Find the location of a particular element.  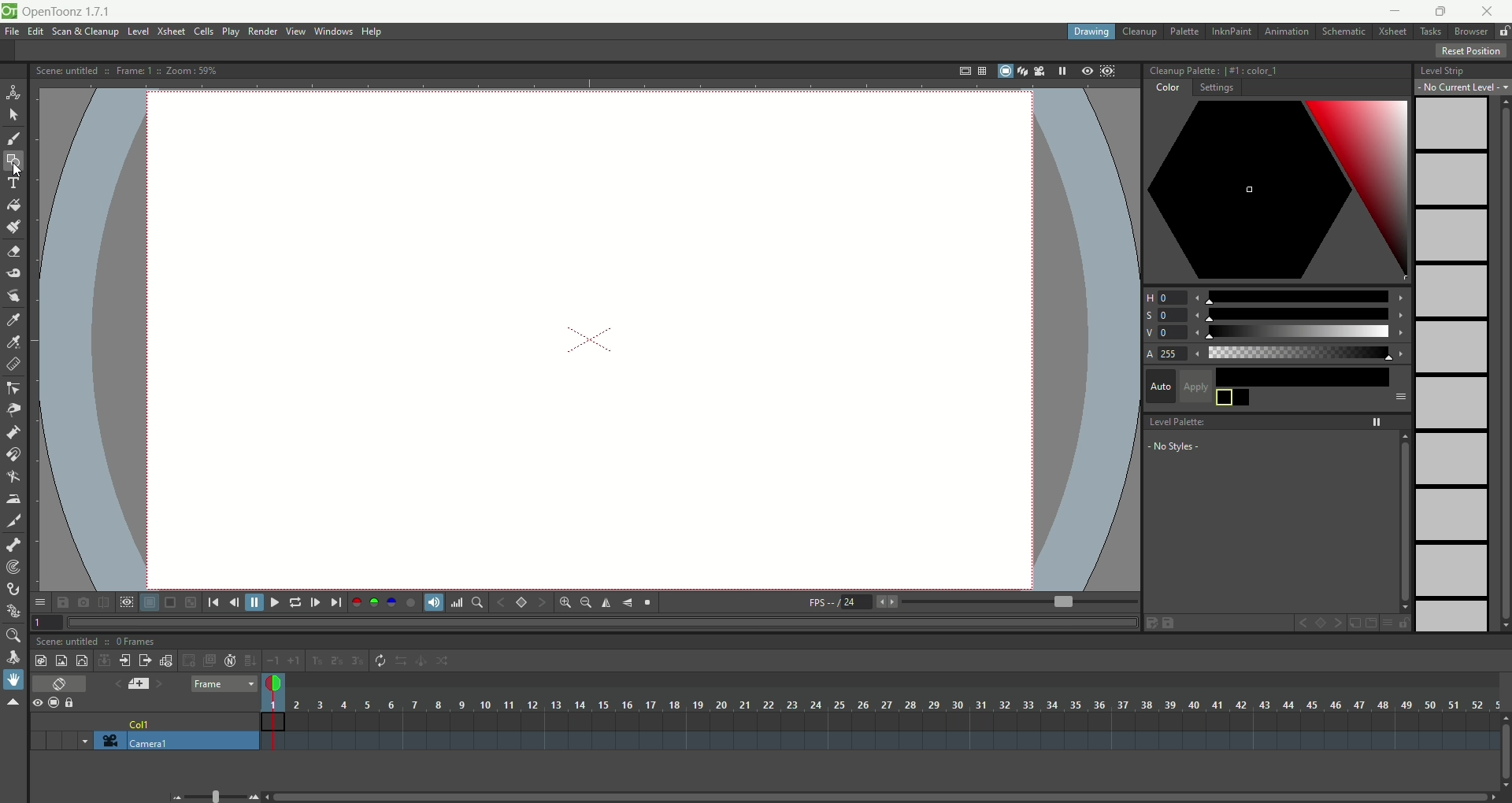

zoom  is located at coordinates (12, 636).